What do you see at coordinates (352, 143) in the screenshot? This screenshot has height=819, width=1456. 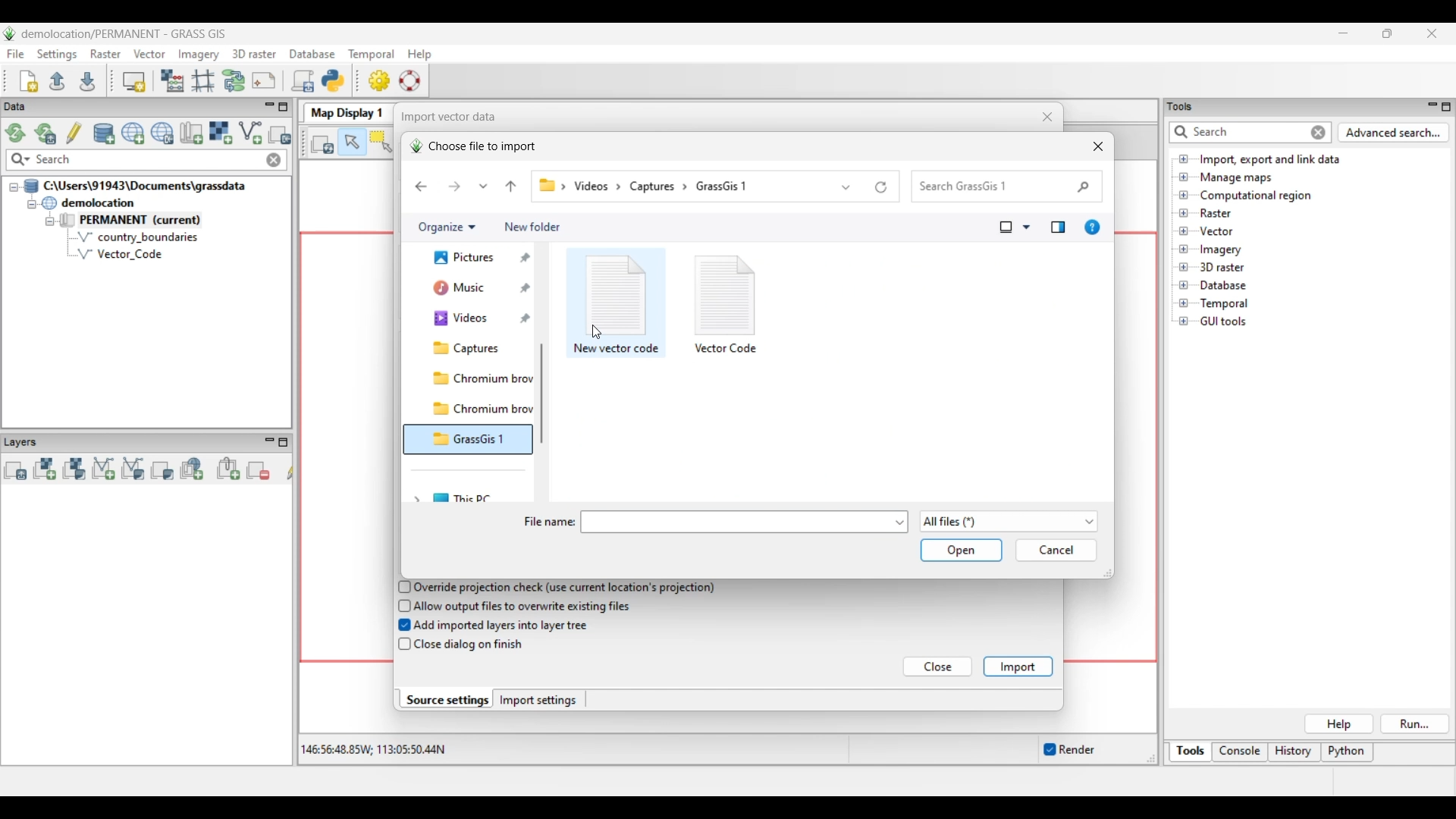 I see `Pointer, current highlighted selection` at bounding box center [352, 143].